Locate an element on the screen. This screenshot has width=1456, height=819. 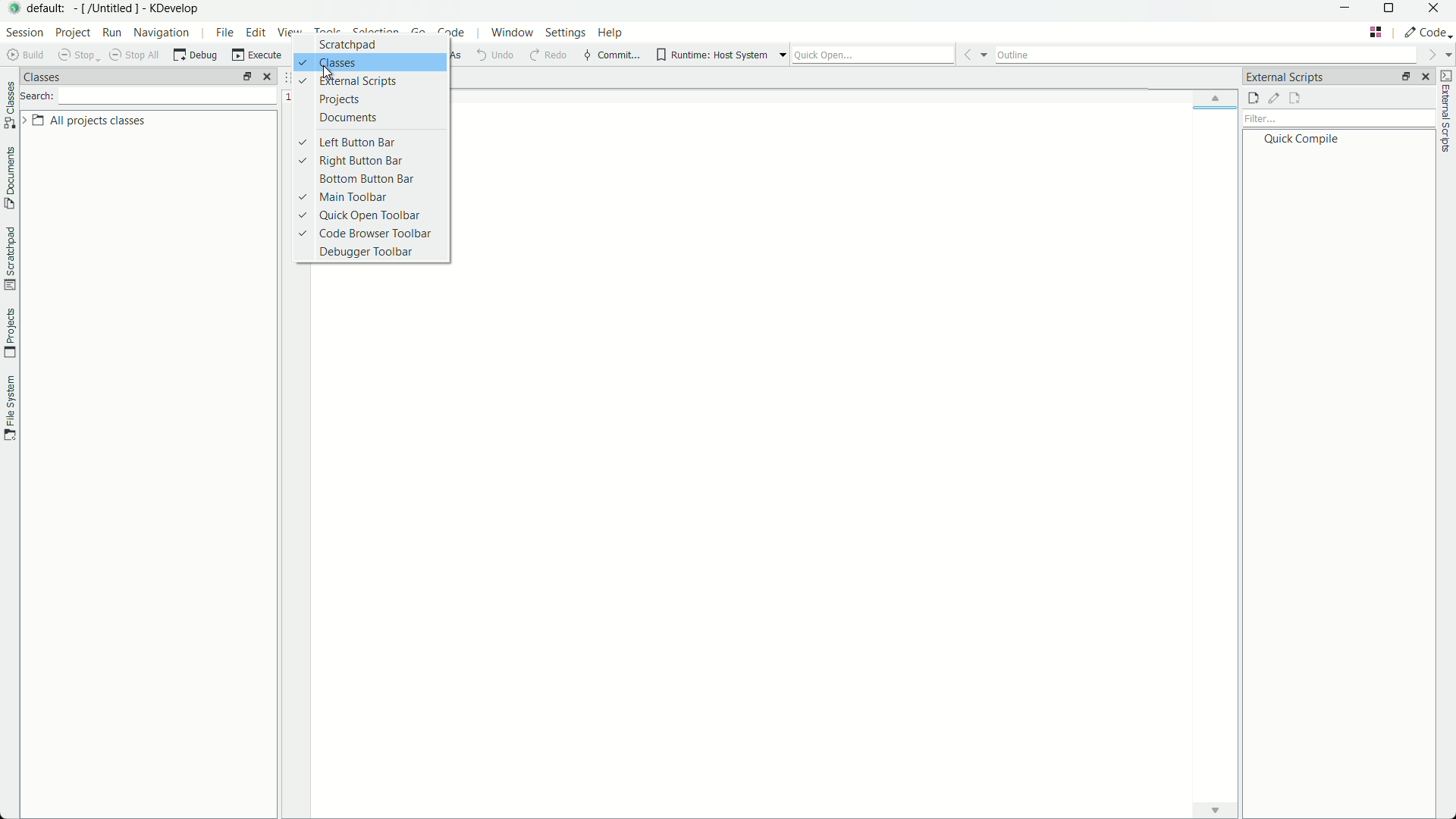
classes is located at coordinates (372, 65).